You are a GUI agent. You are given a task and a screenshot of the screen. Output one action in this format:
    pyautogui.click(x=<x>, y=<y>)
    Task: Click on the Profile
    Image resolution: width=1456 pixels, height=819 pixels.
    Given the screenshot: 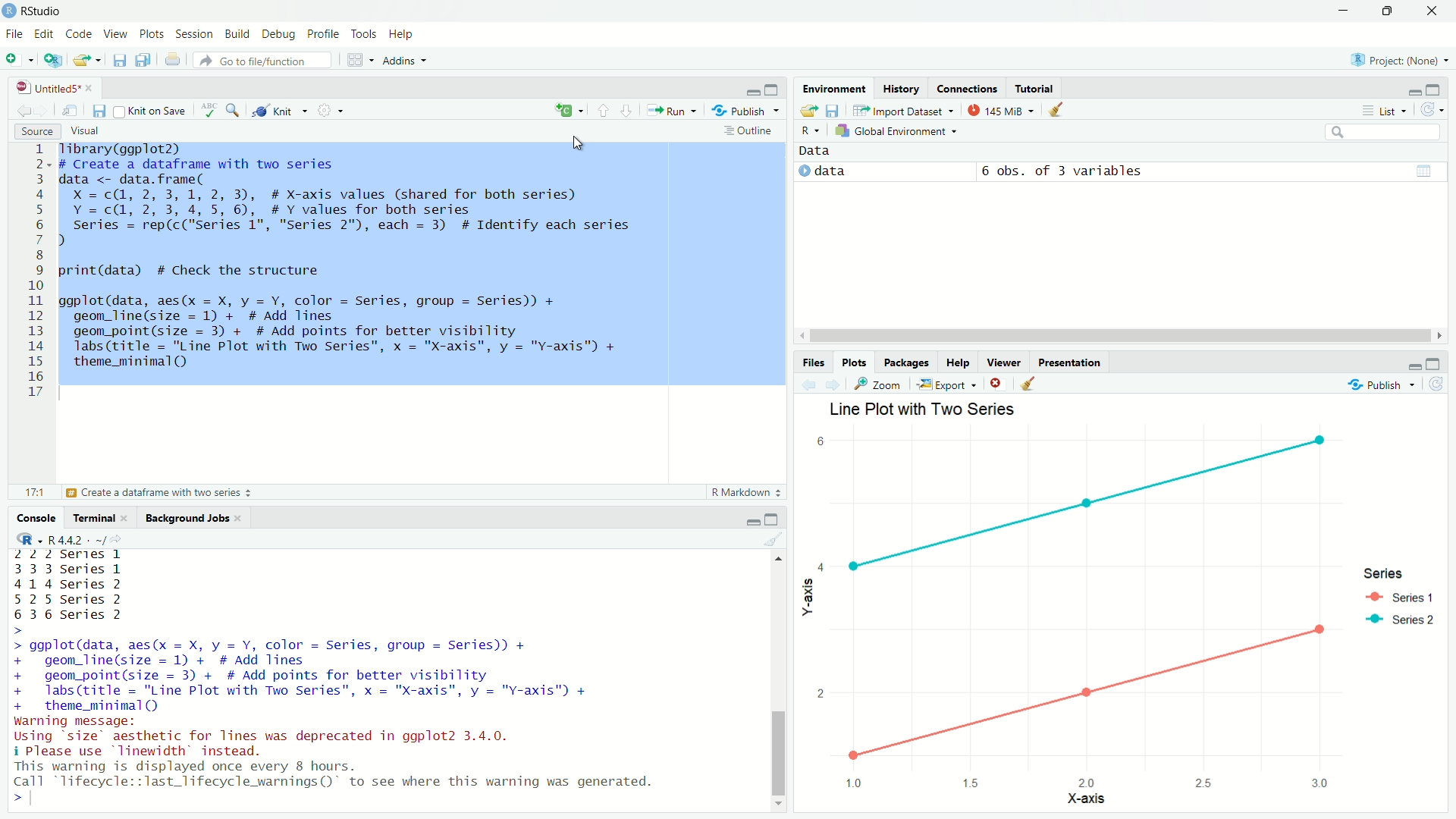 What is the action you would take?
    pyautogui.click(x=322, y=36)
    